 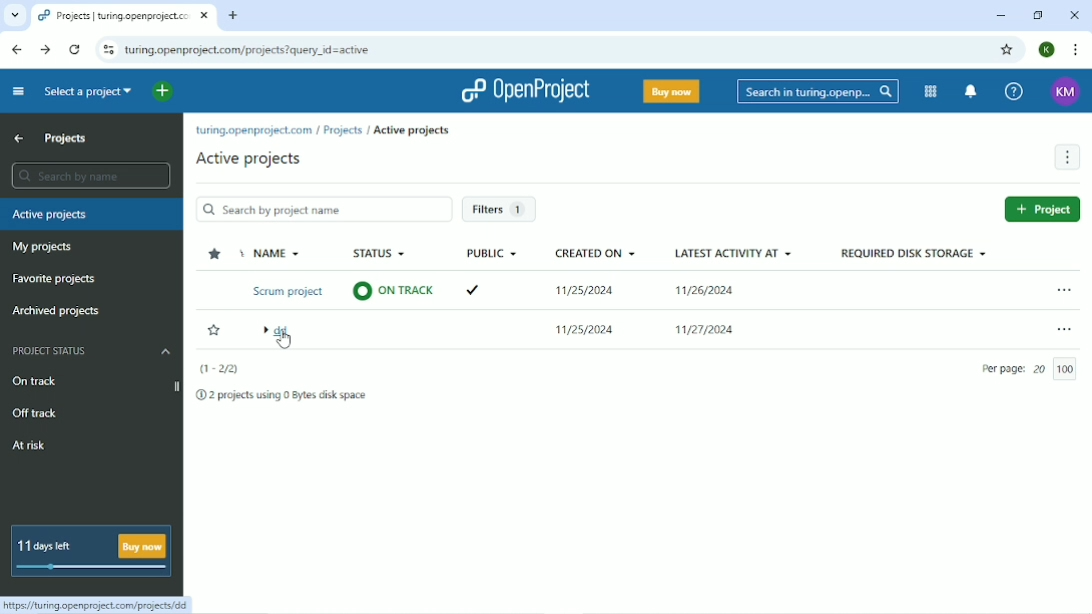 What do you see at coordinates (276, 252) in the screenshot?
I see `Name` at bounding box center [276, 252].